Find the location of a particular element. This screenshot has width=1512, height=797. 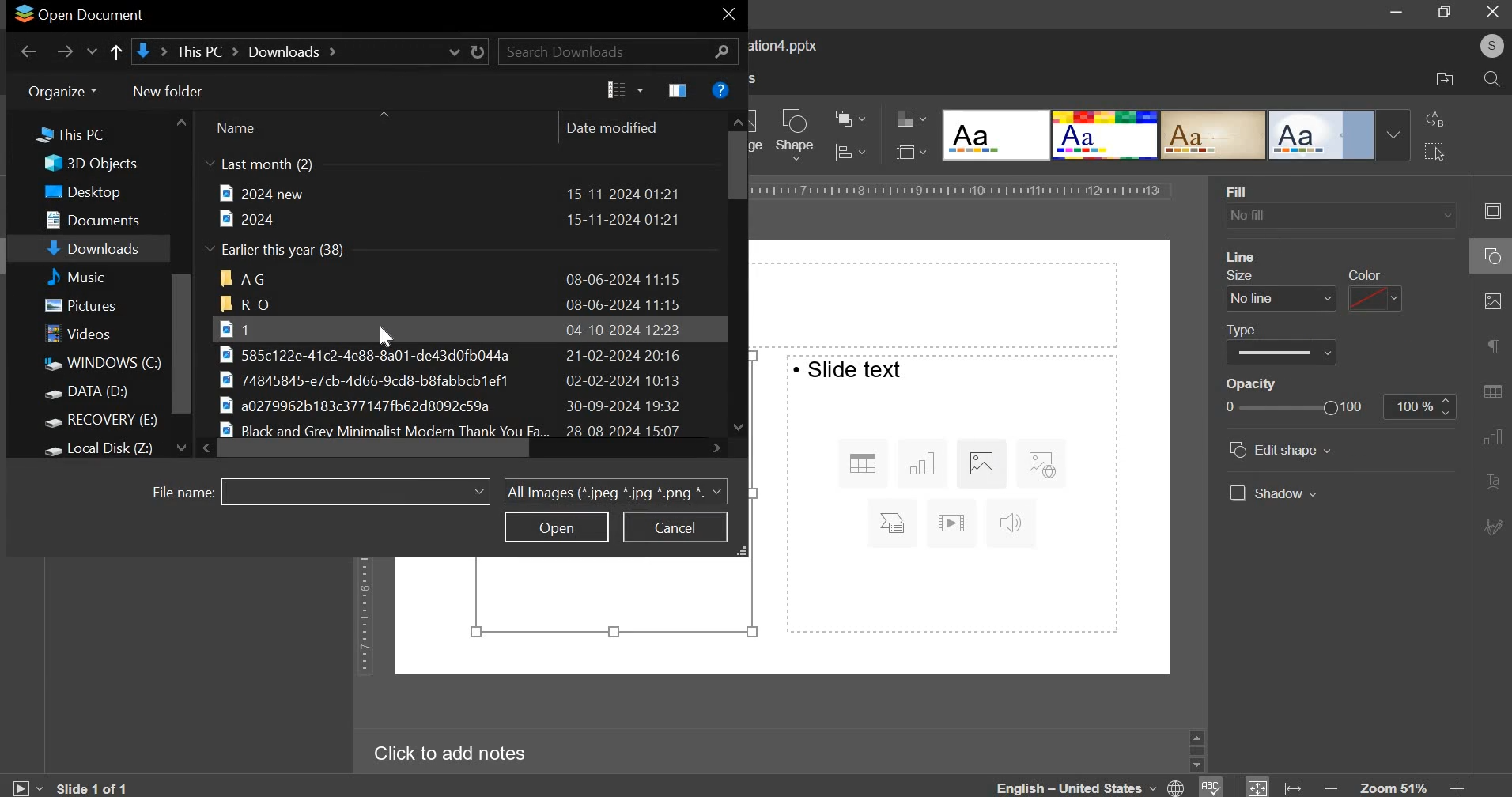

fit to window is located at coordinates (1258, 788).